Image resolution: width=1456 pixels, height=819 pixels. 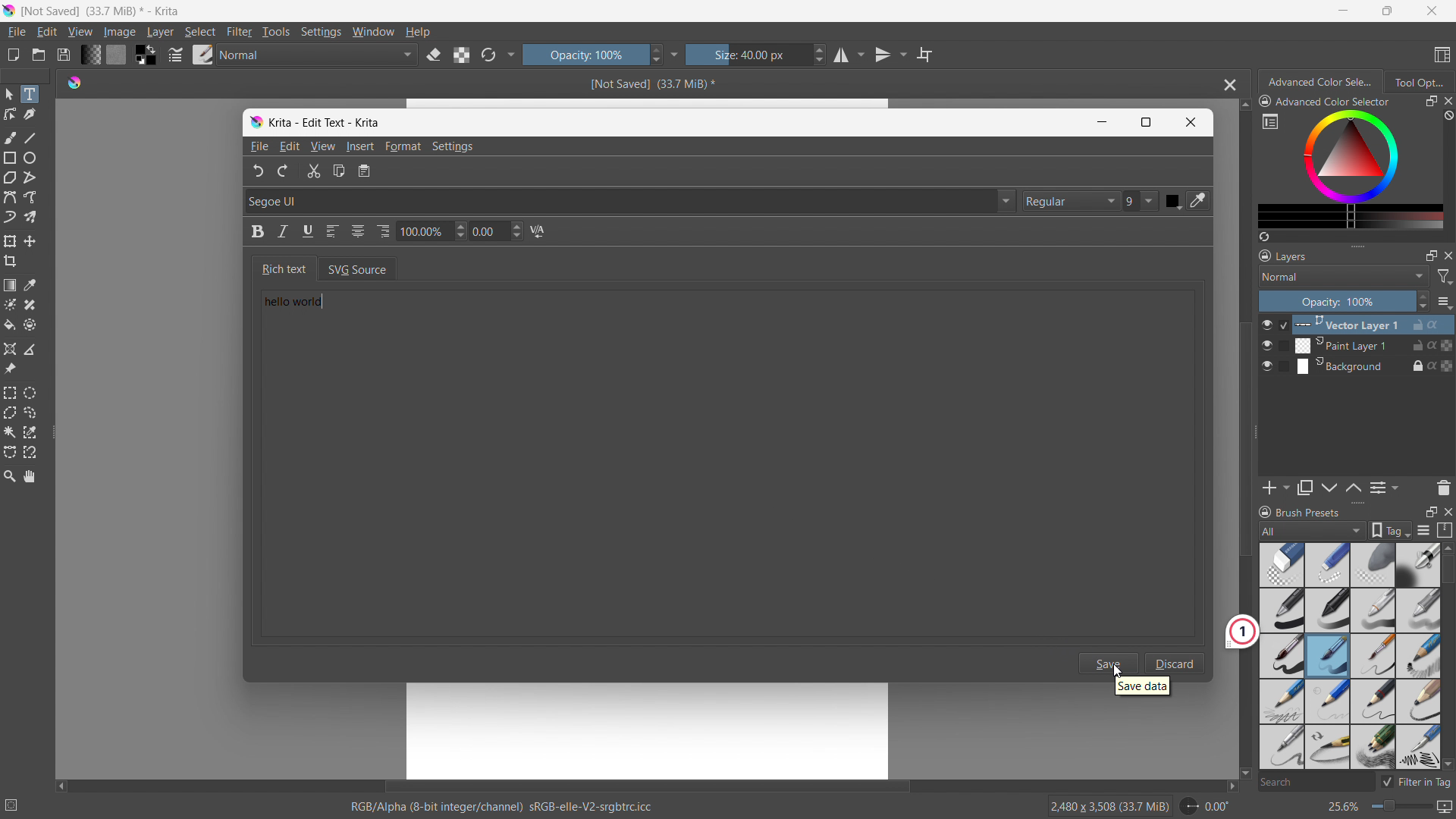 What do you see at coordinates (11, 158) in the screenshot?
I see `rectangle tool` at bounding box center [11, 158].